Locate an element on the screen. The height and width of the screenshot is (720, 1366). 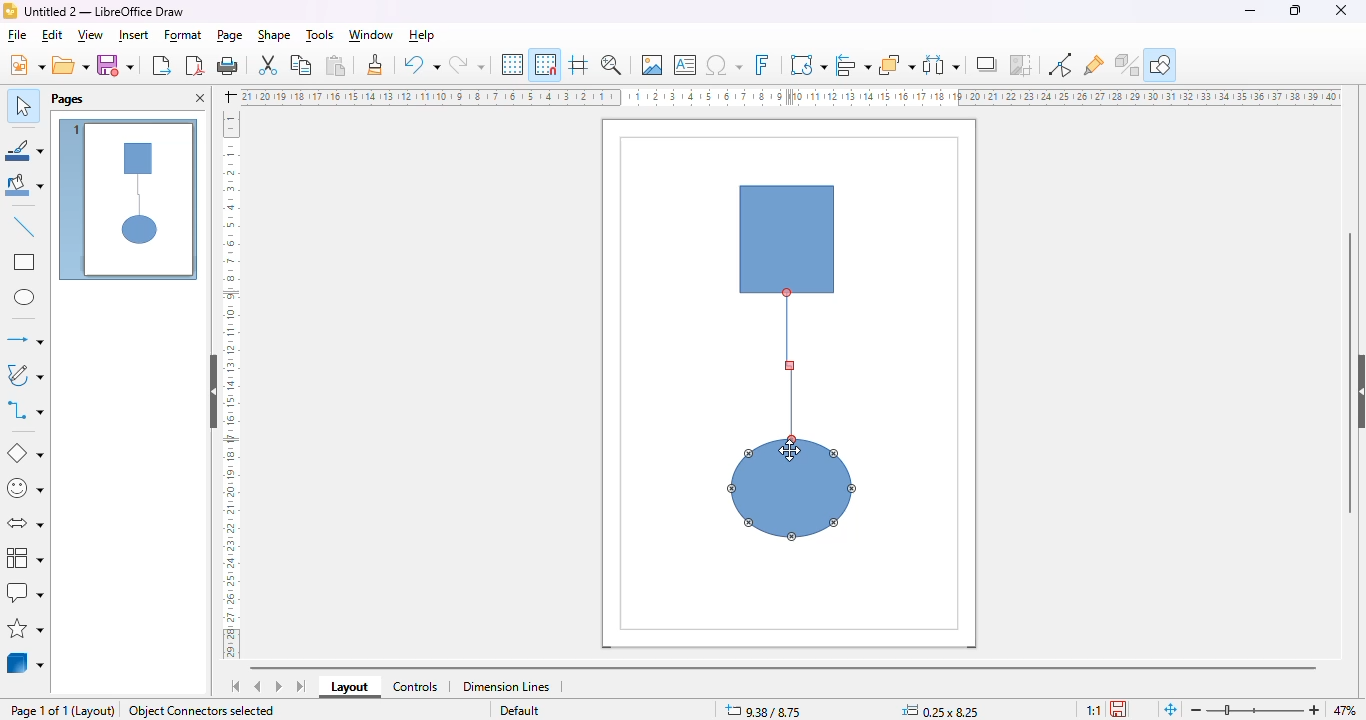
open is located at coordinates (71, 64).